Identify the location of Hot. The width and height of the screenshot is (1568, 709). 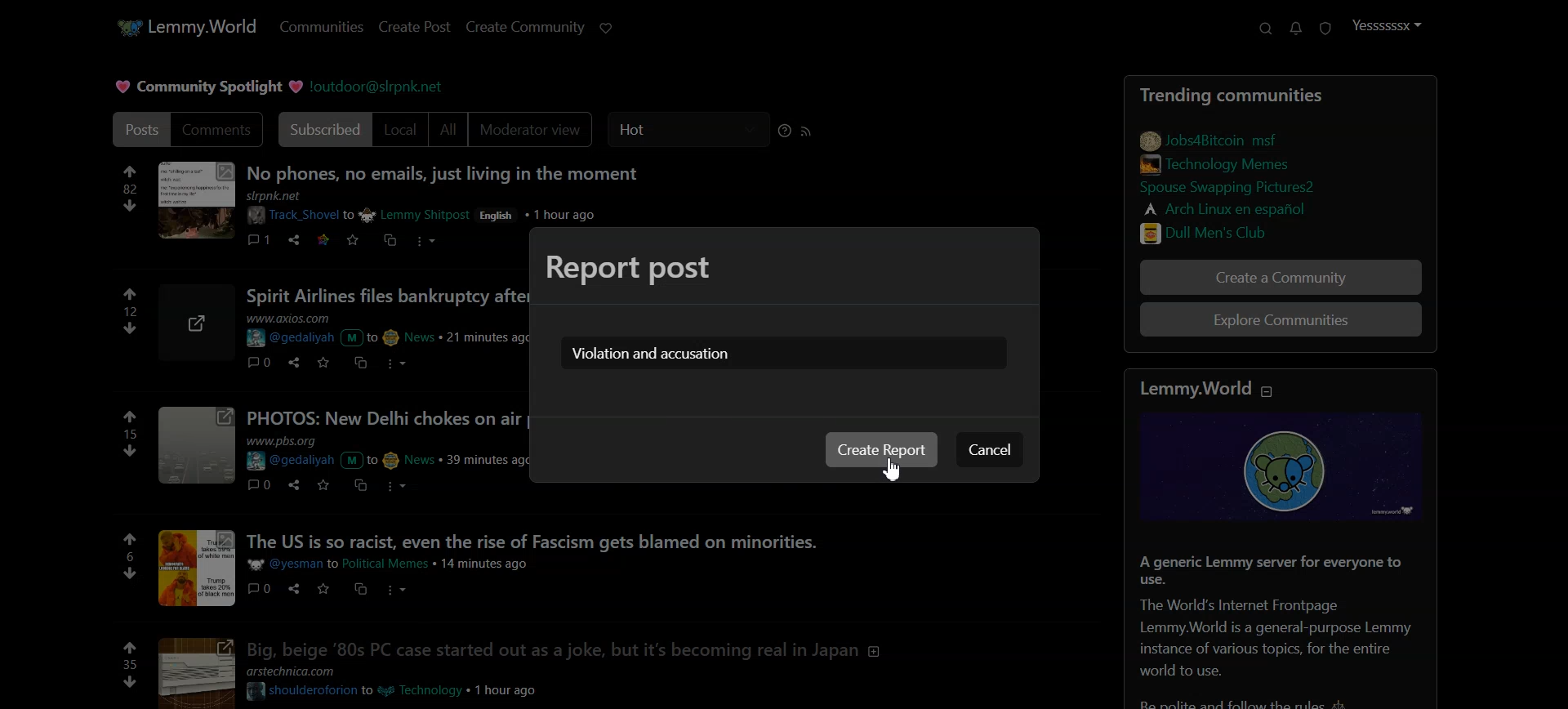
(688, 130).